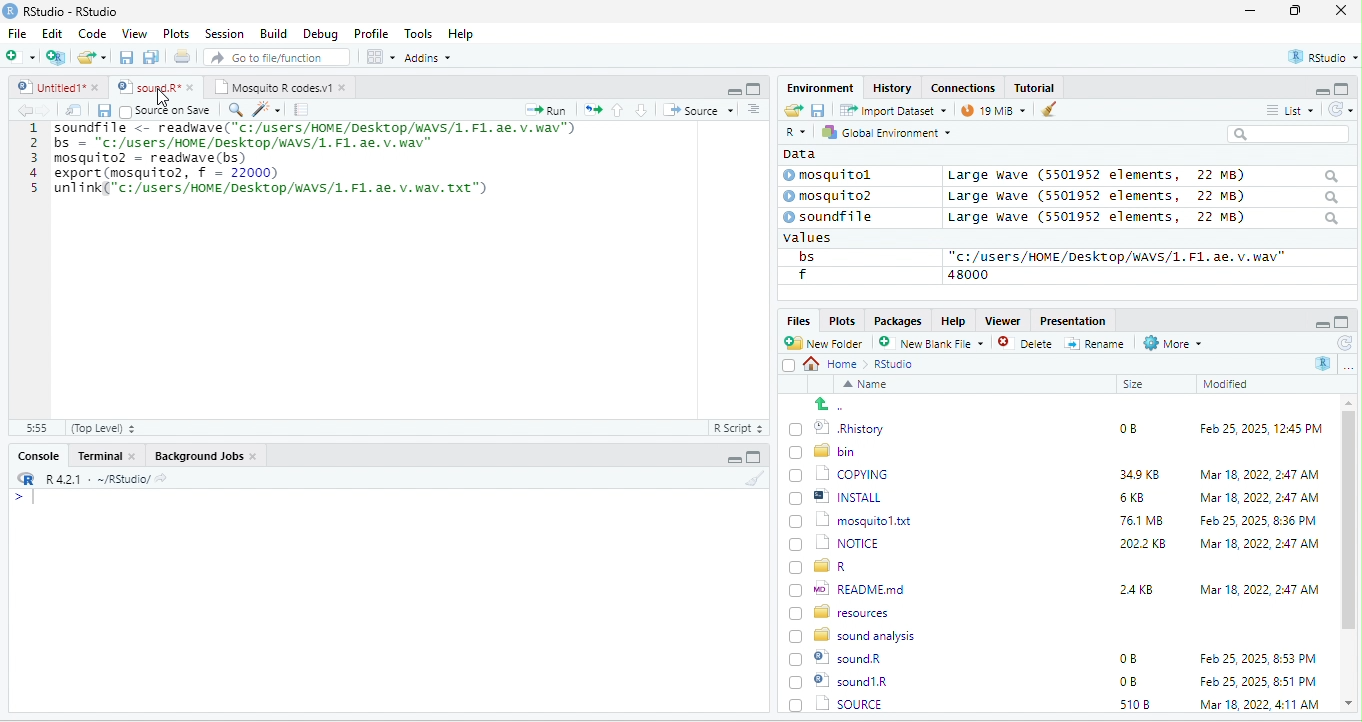 This screenshot has height=722, width=1362. What do you see at coordinates (57, 57) in the screenshot?
I see `new project` at bounding box center [57, 57].